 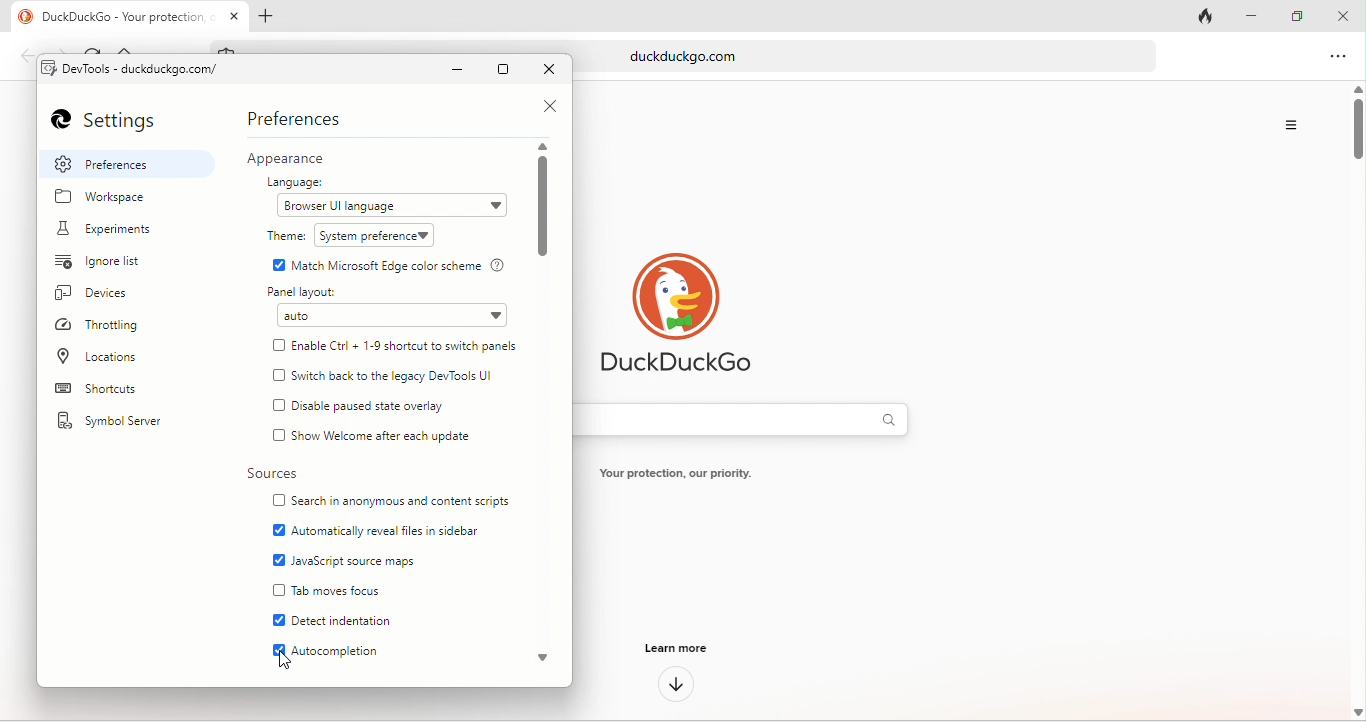 What do you see at coordinates (1292, 16) in the screenshot?
I see `maximize` at bounding box center [1292, 16].